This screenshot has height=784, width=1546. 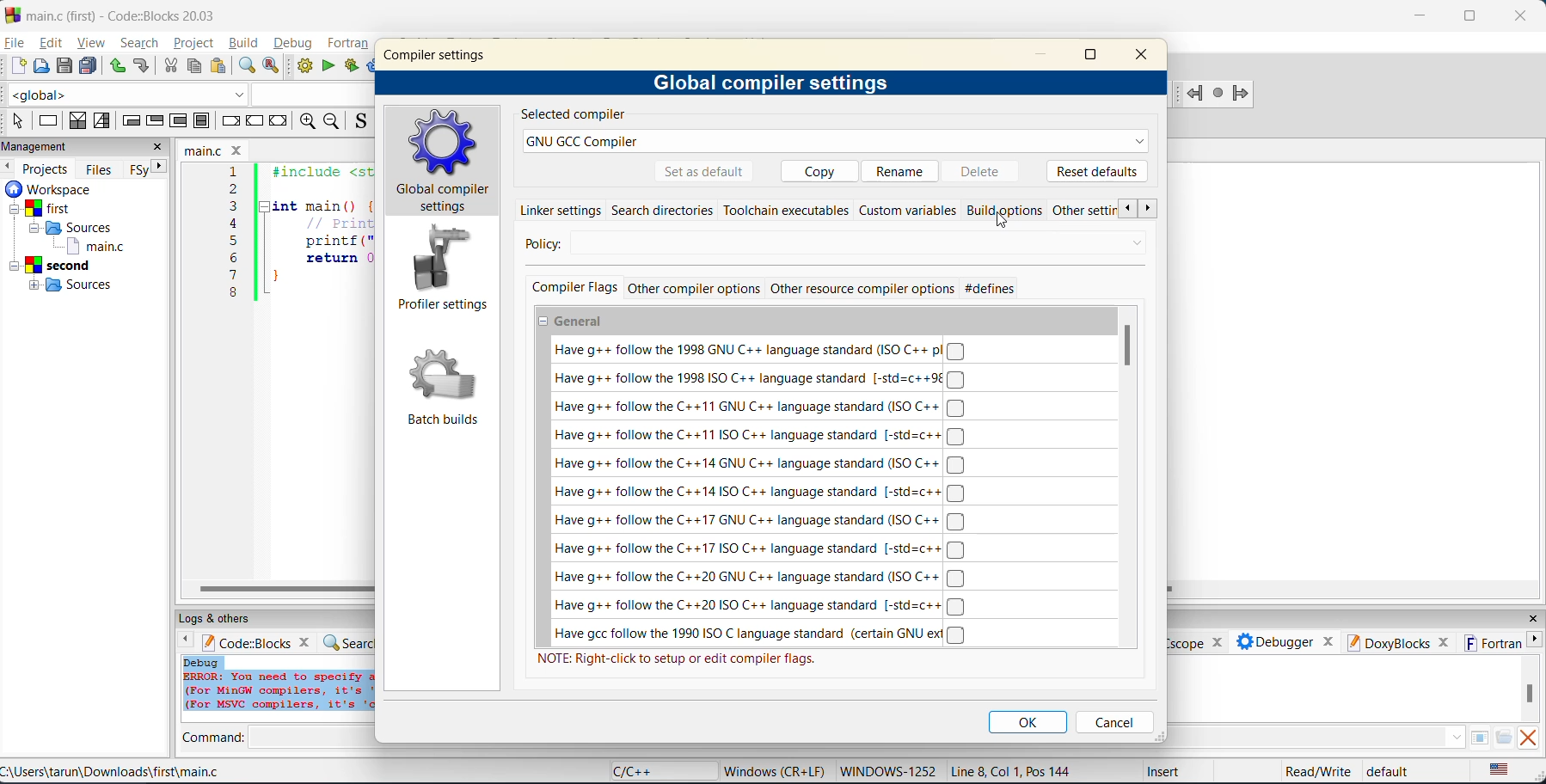 I want to click on Line 8, Col 1, Pos 144, so click(x=1015, y=770).